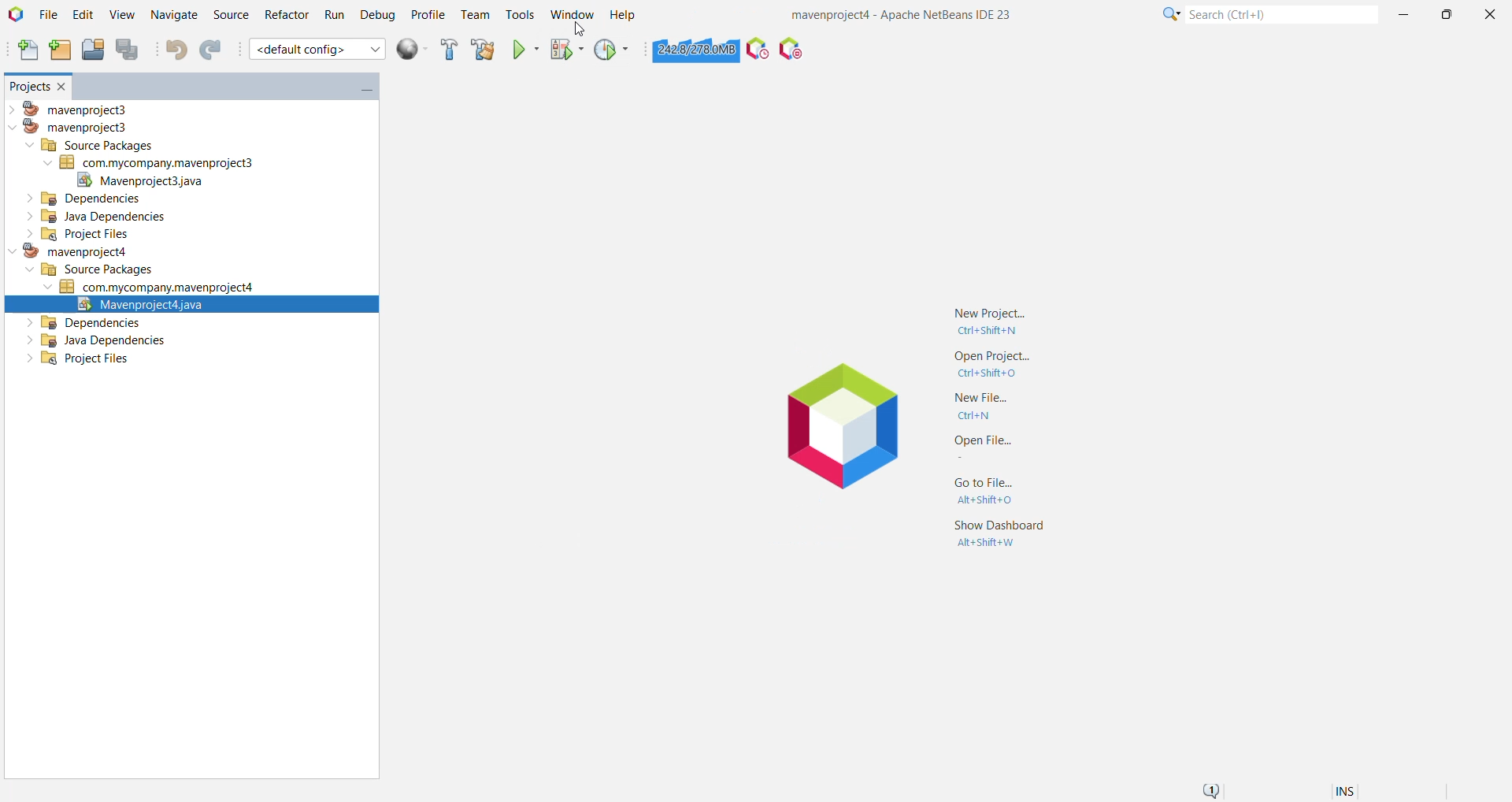 Image resolution: width=1512 pixels, height=802 pixels. Describe the element at coordinates (449, 50) in the screenshot. I see `Build Project` at that location.